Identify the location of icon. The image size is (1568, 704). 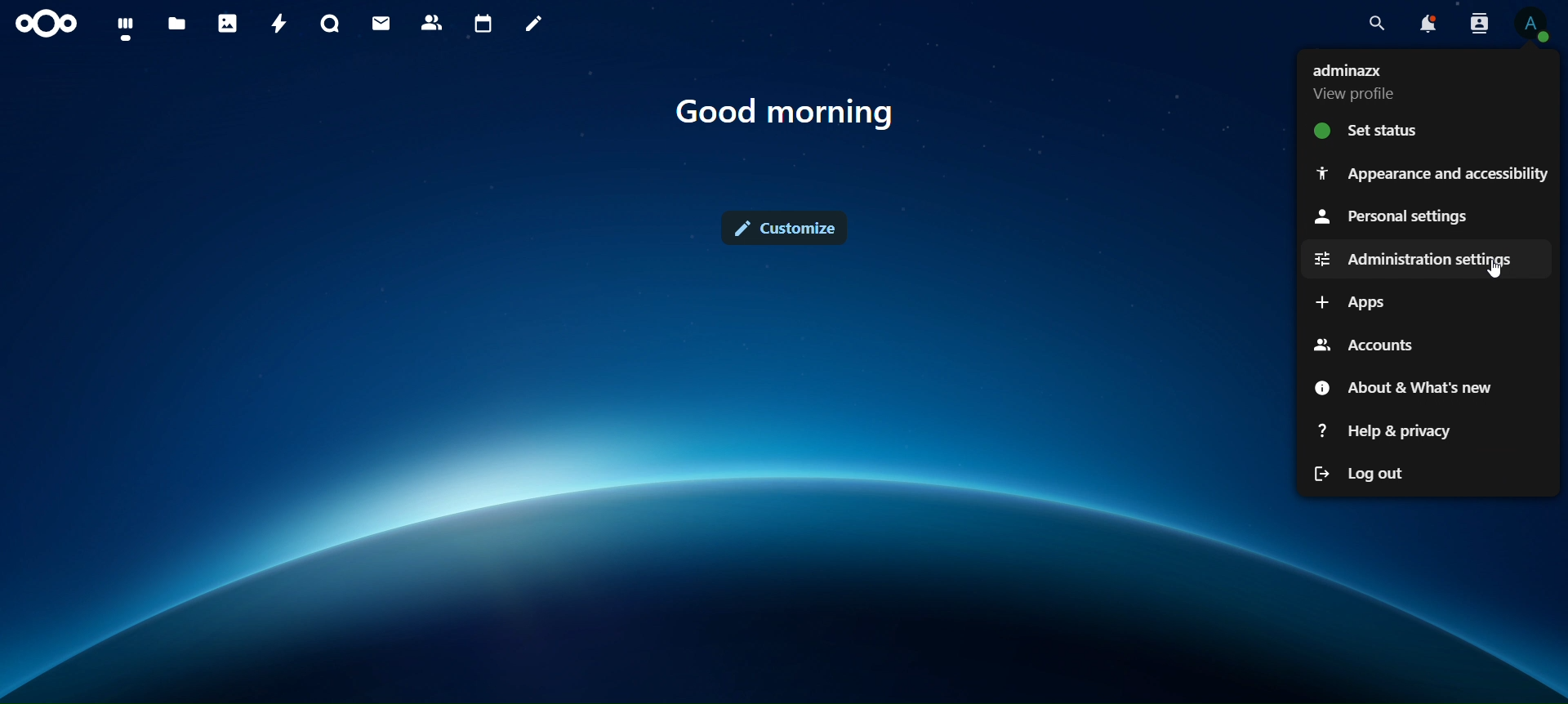
(48, 24).